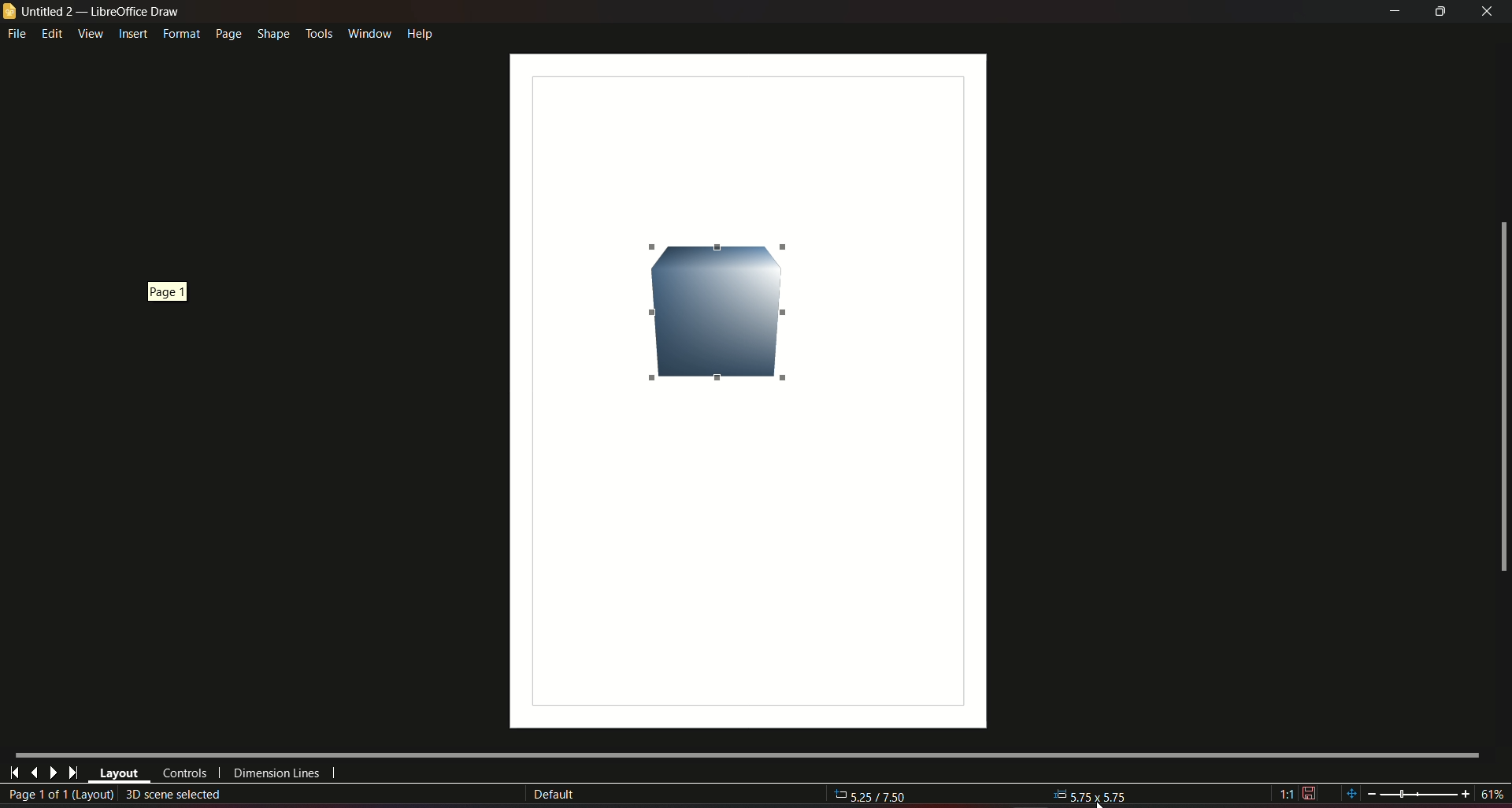 This screenshot has height=808, width=1512. Describe the element at coordinates (714, 312) in the screenshot. I see `Cube` at that location.